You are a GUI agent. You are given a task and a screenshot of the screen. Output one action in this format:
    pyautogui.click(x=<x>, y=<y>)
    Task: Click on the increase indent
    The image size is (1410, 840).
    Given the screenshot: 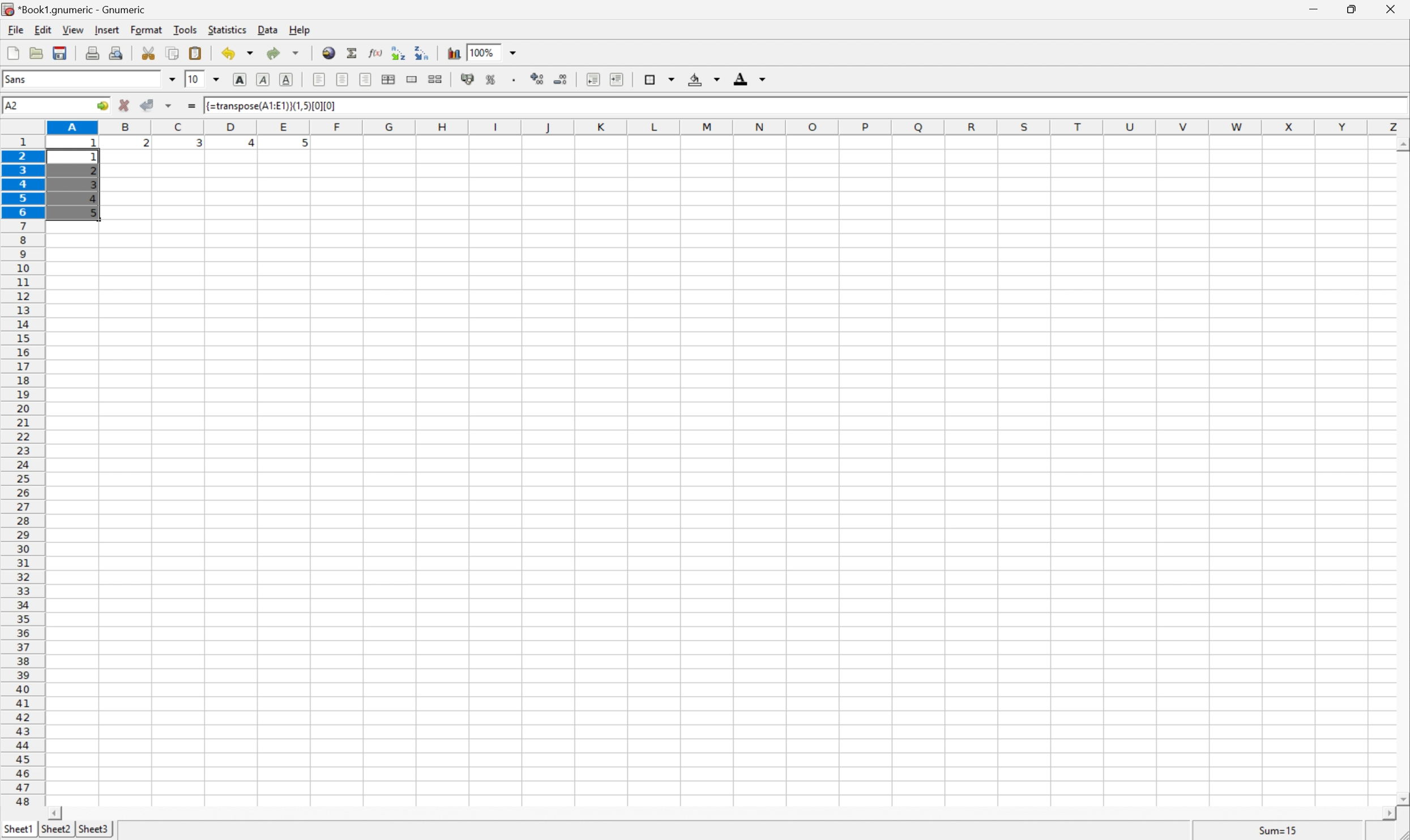 What is the action you would take?
    pyautogui.click(x=615, y=79)
    